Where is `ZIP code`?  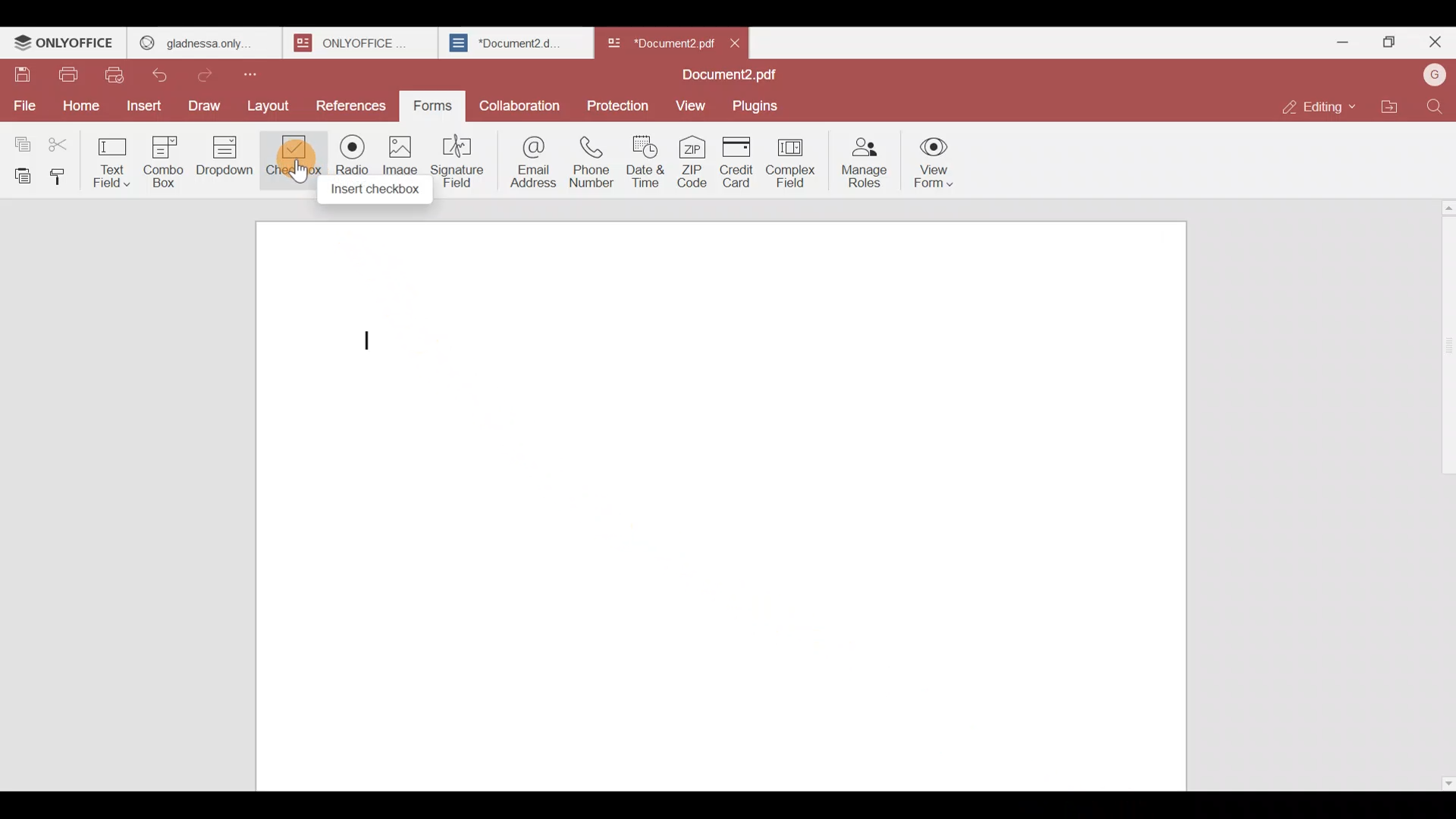
ZIP code is located at coordinates (692, 163).